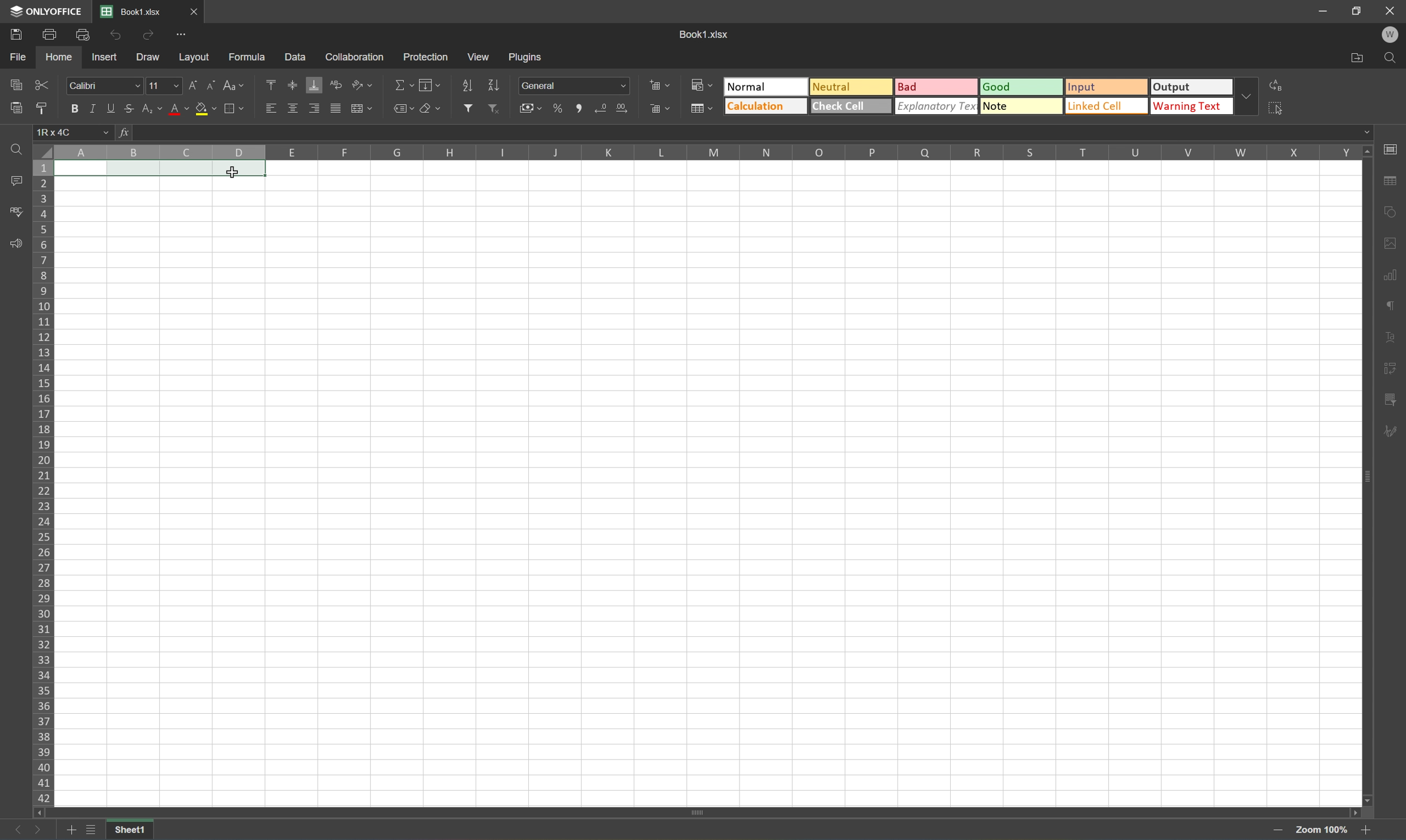 The width and height of the screenshot is (1406, 840). Describe the element at coordinates (117, 35) in the screenshot. I see `Undo` at that location.